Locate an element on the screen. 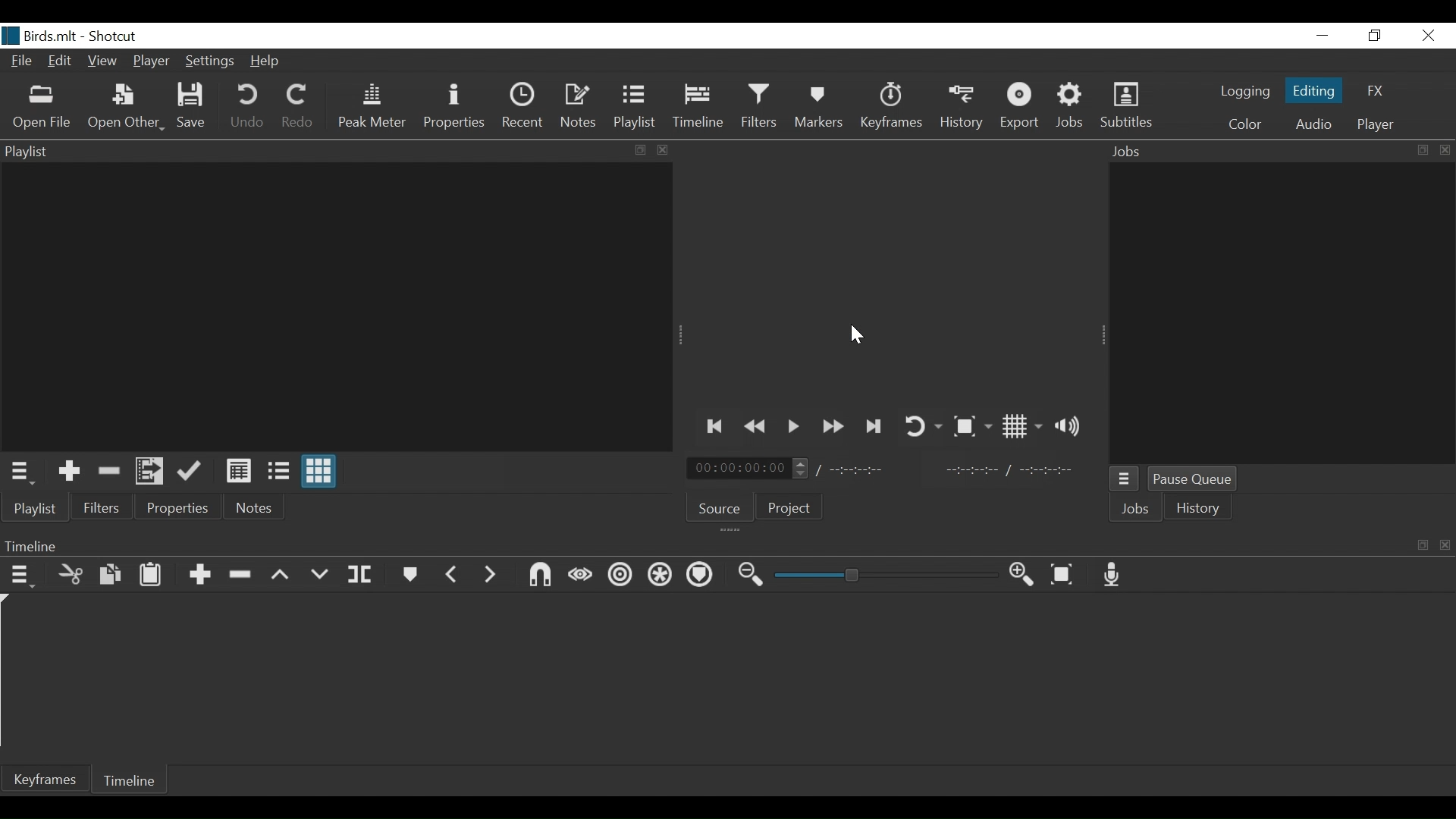 The width and height of the screenshot is (1456, 819). Zoom Timeline to fit is located at coordinates (1065, 575).